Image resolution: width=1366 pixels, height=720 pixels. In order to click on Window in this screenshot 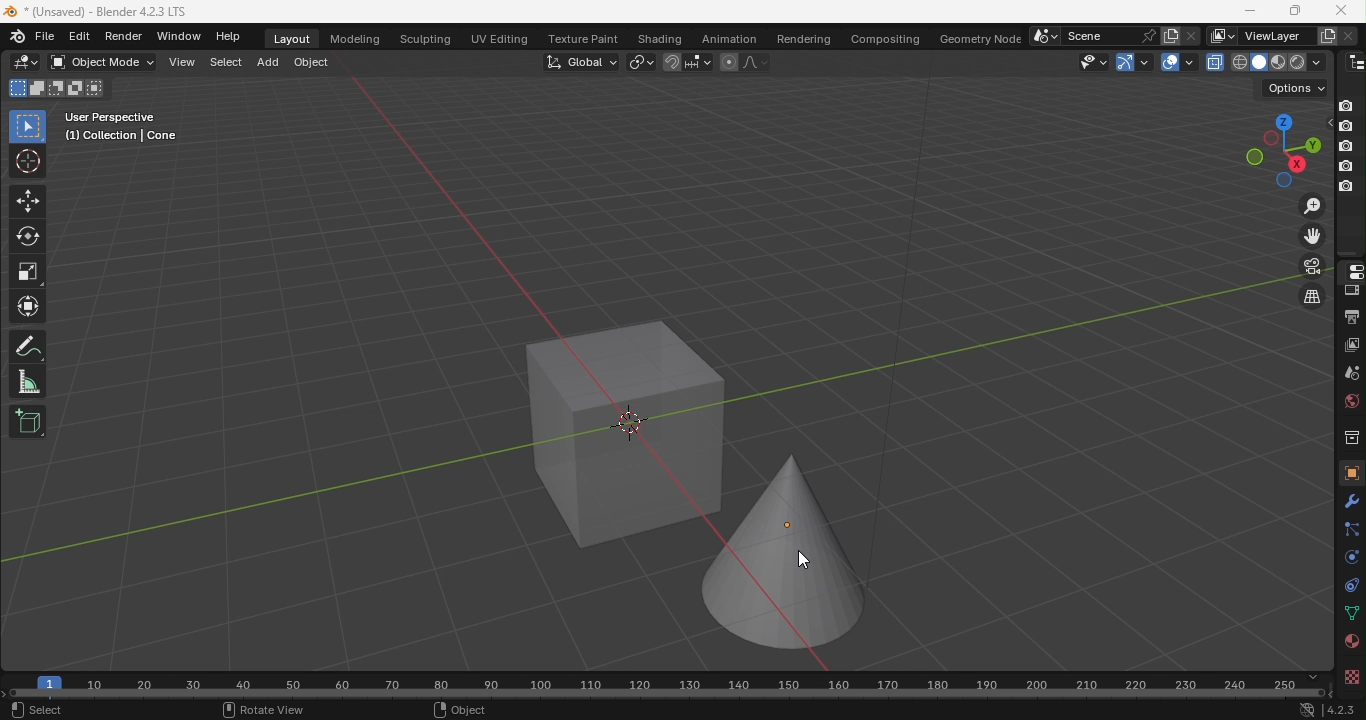, I will do `click(178, 36)`.